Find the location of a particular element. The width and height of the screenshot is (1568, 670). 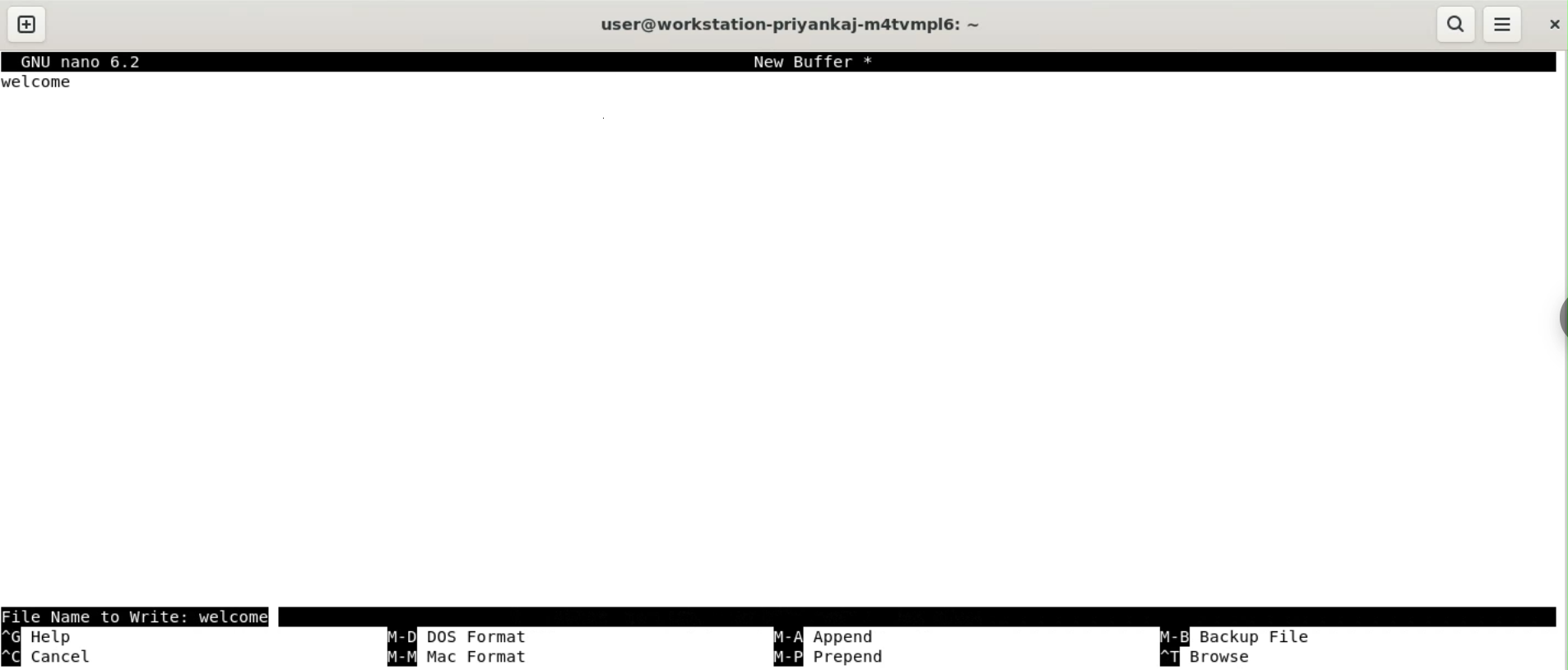

New Buffer * is located at coordinates (812, 62).